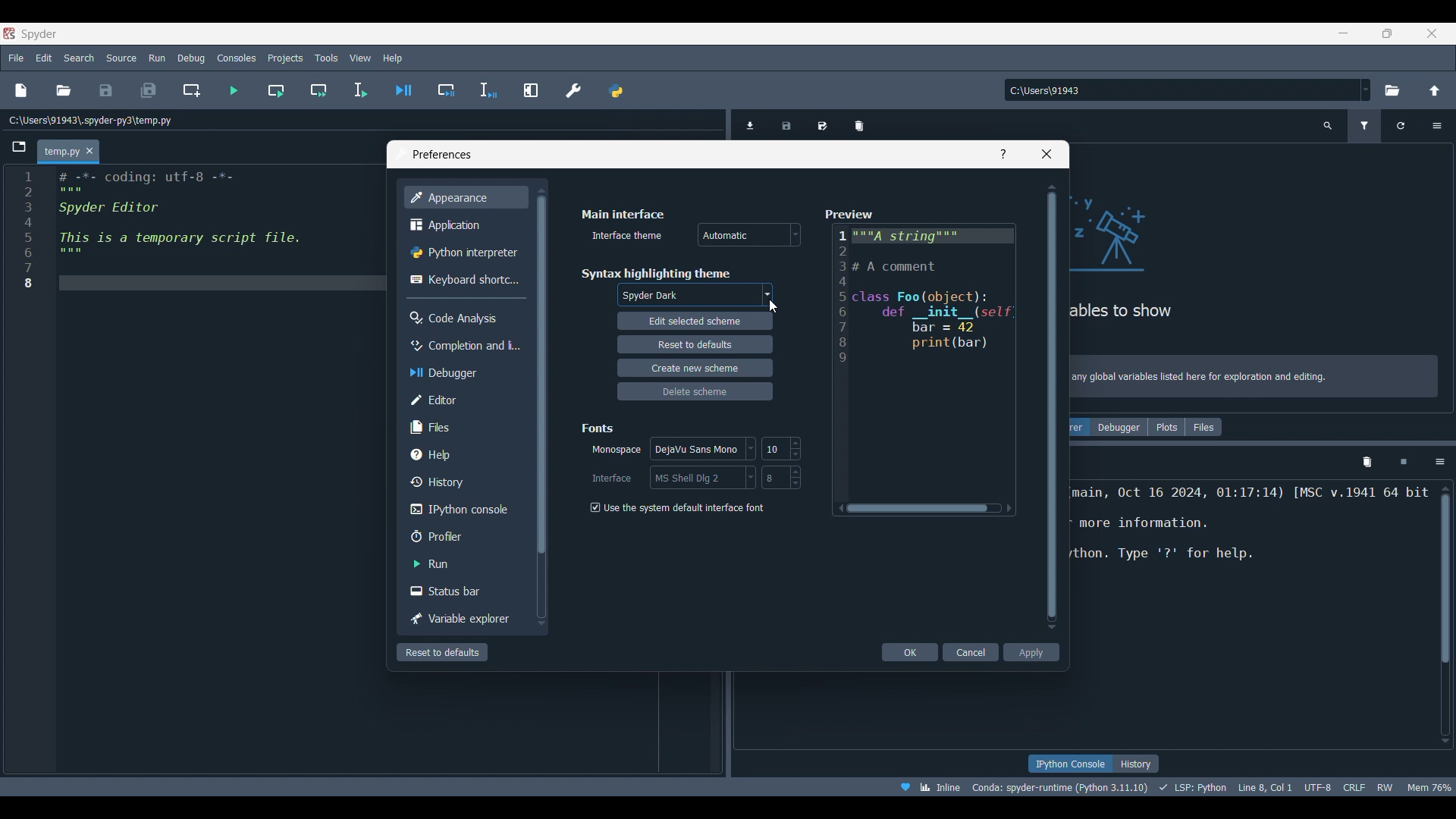 The height and width of the screenshot is (819, 1456). What do you see at coordinates (463, 428) in the screenshot?
I see `Files` at bounding box center [463, 428].